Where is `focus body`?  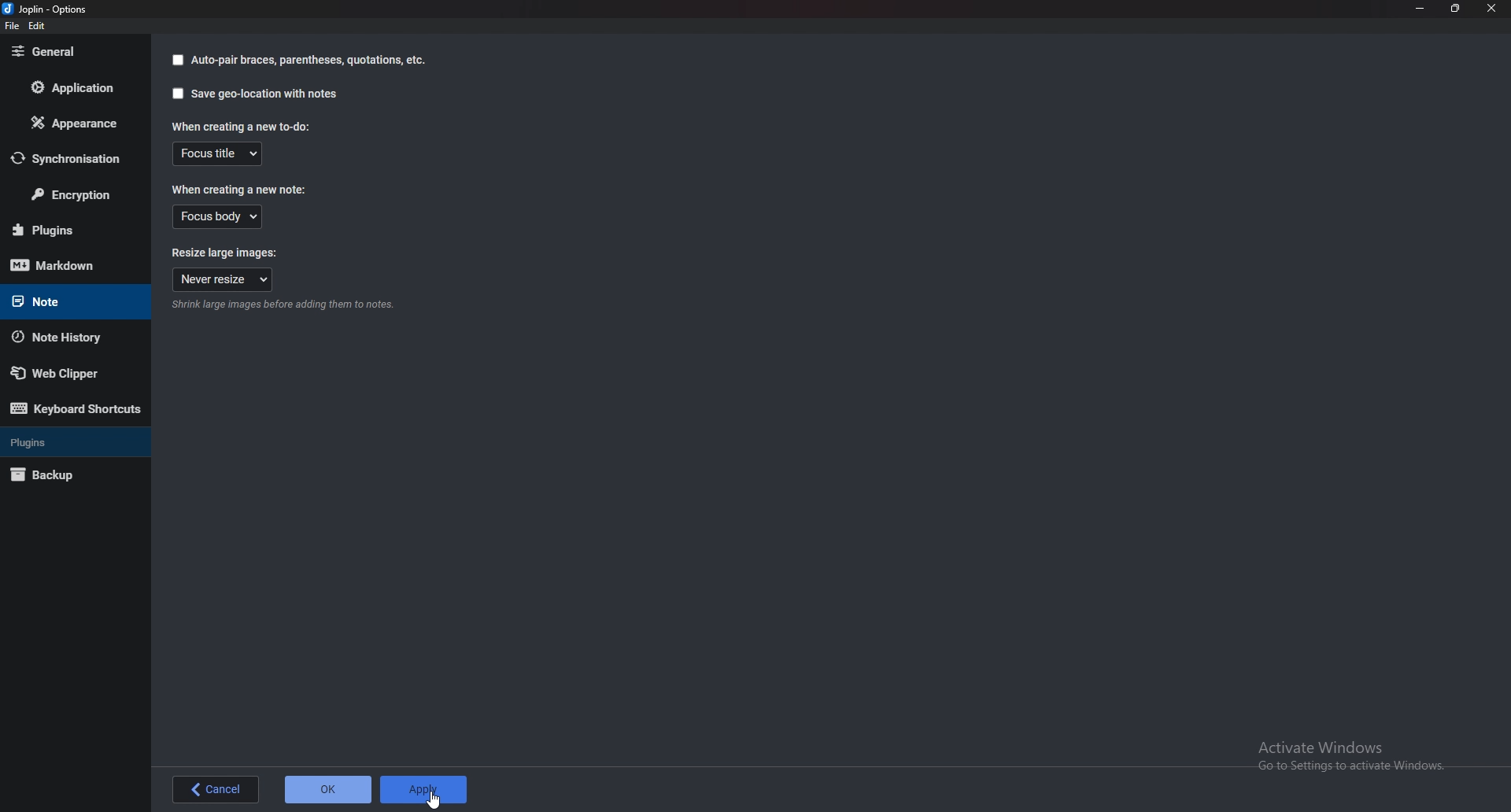
focus body is located at coordinates (217, 217).